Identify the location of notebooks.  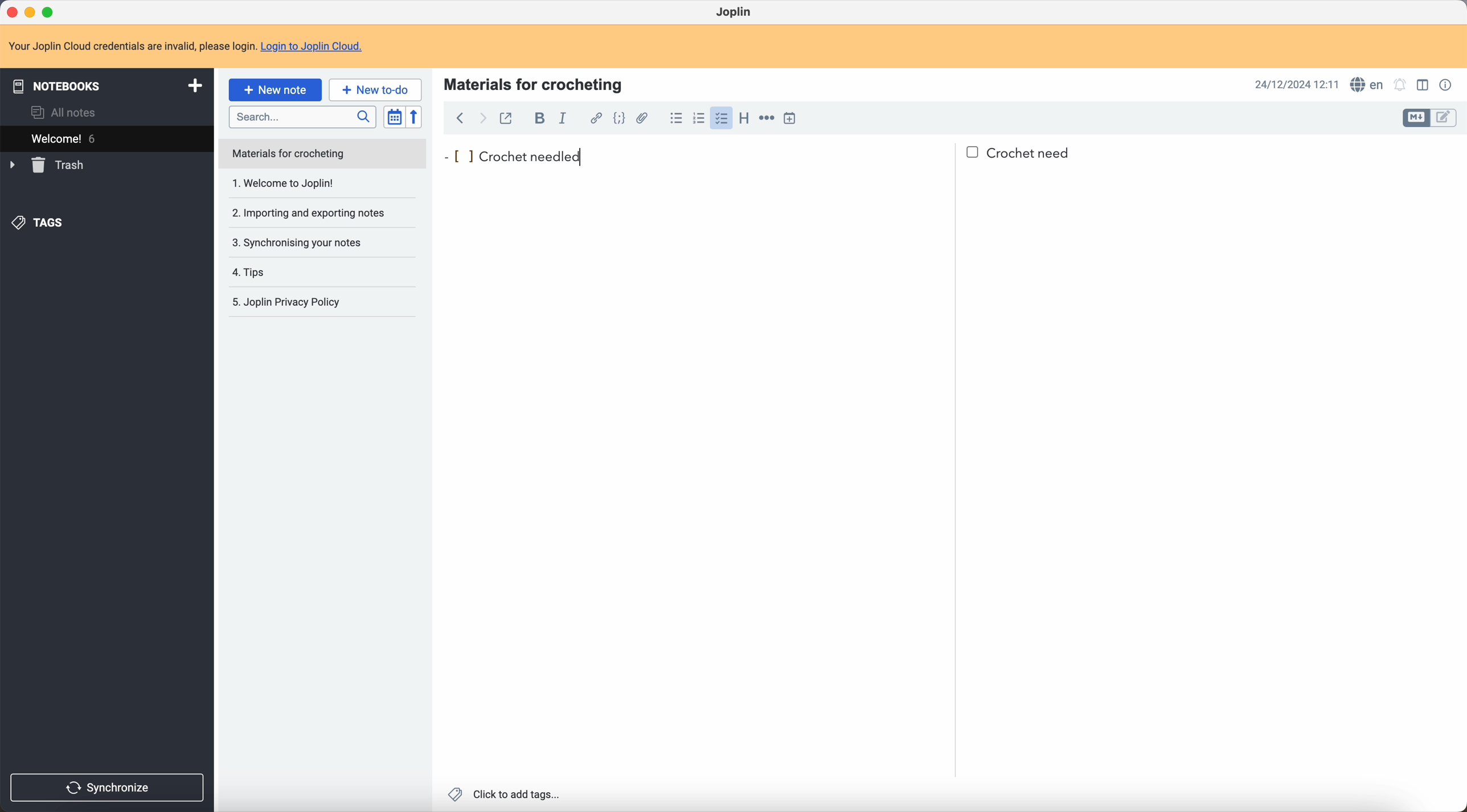
(105, 84).